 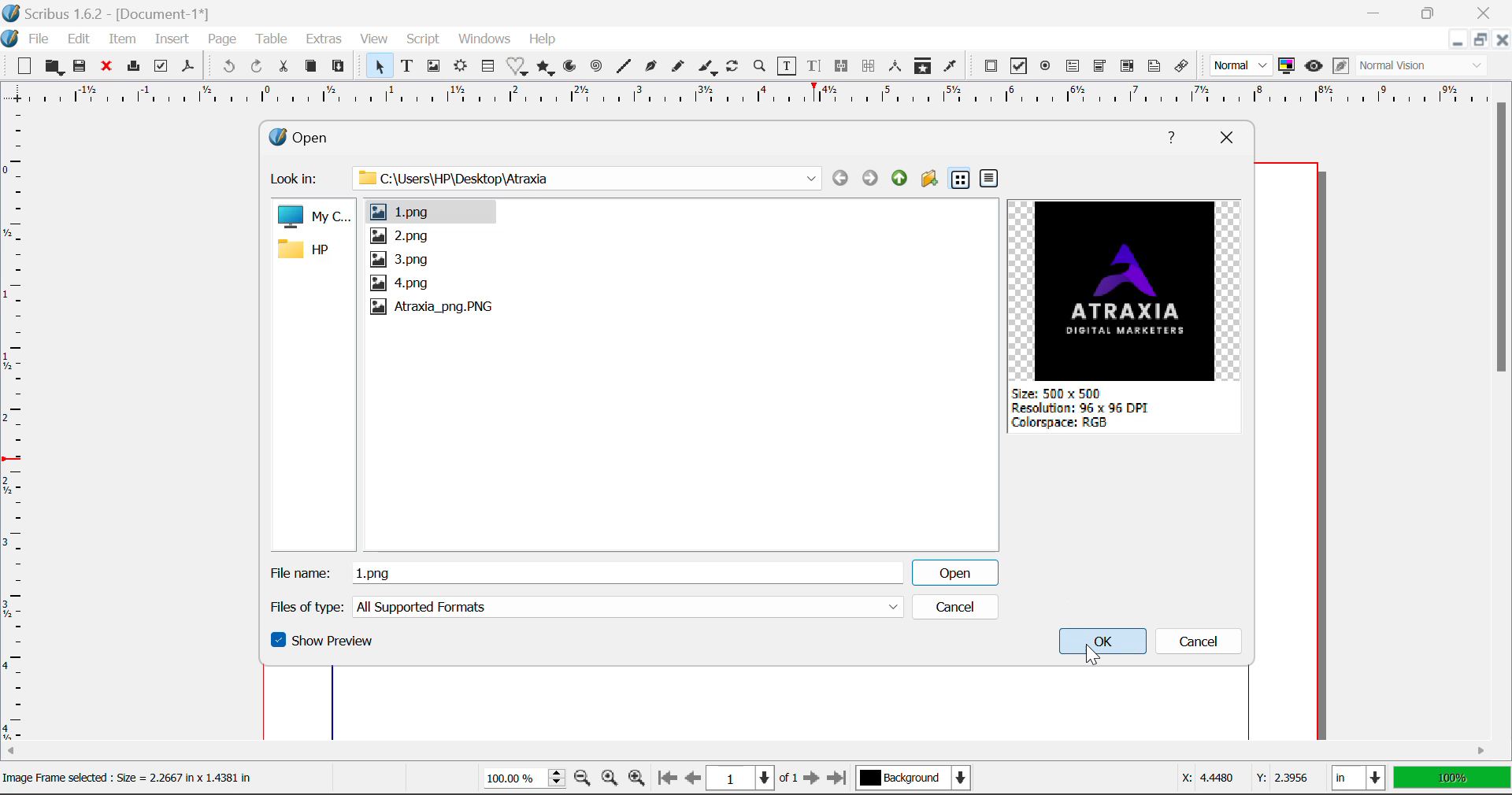 What do you see at coordinates (743, 97) in the screenshot?
I see `Vertical Page Margins` at bounding box center [743, 97].